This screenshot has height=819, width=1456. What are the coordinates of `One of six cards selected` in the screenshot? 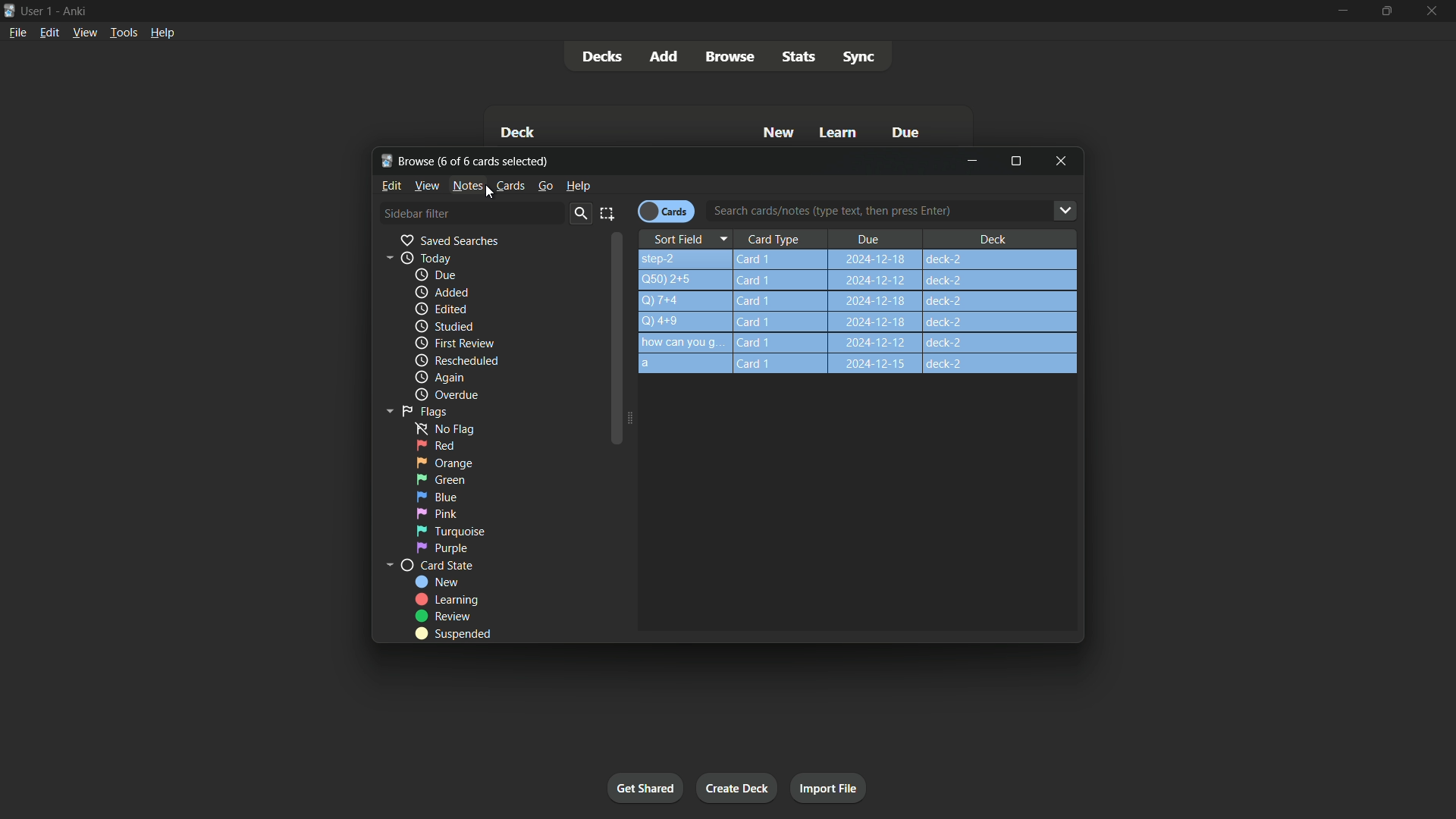 It's located at (495, 162).